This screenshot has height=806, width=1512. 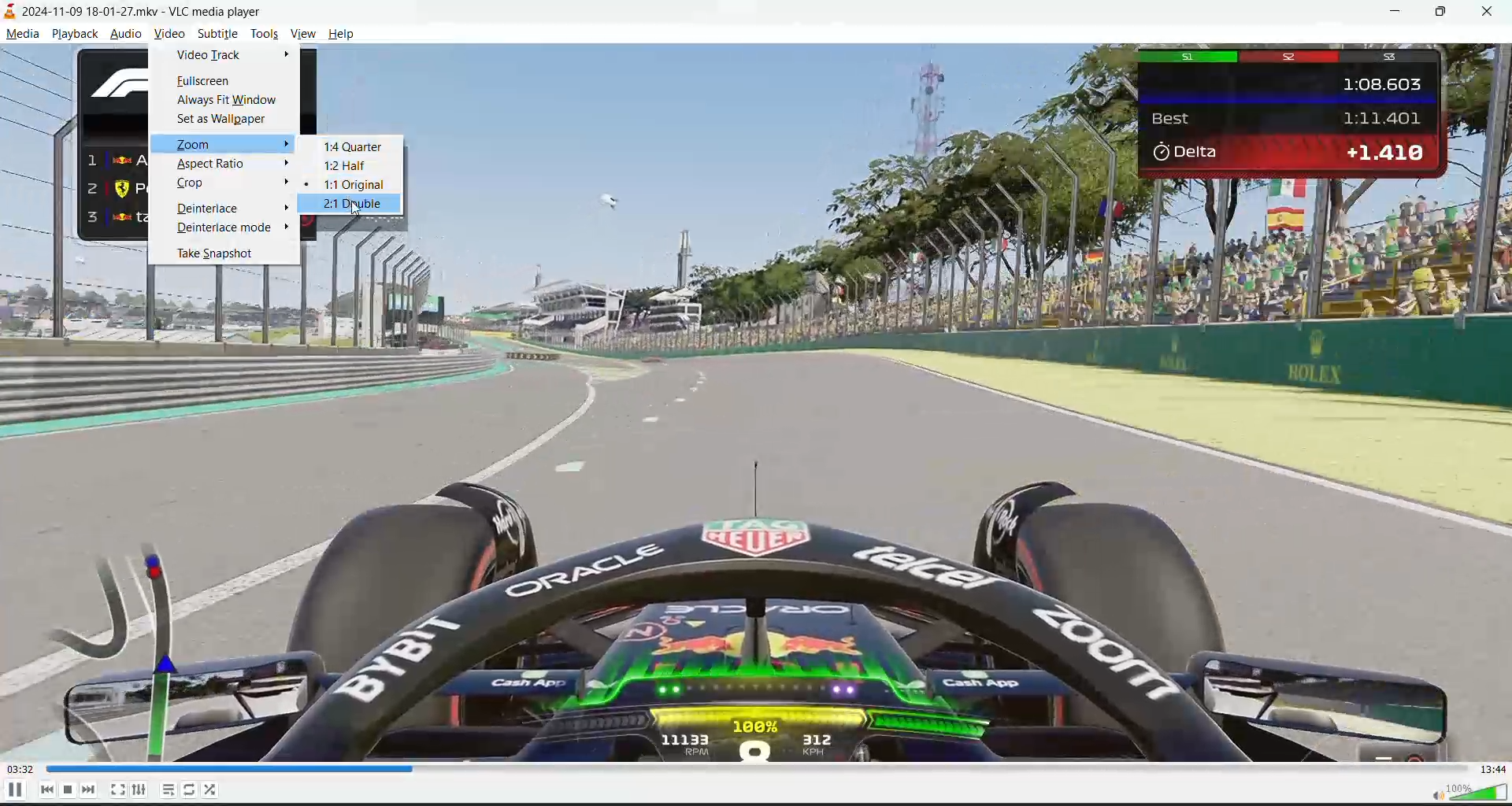 What do you see at coordinates (198, 145) in the screenshot?
I see `zoom` at bounding box center [198, 145].